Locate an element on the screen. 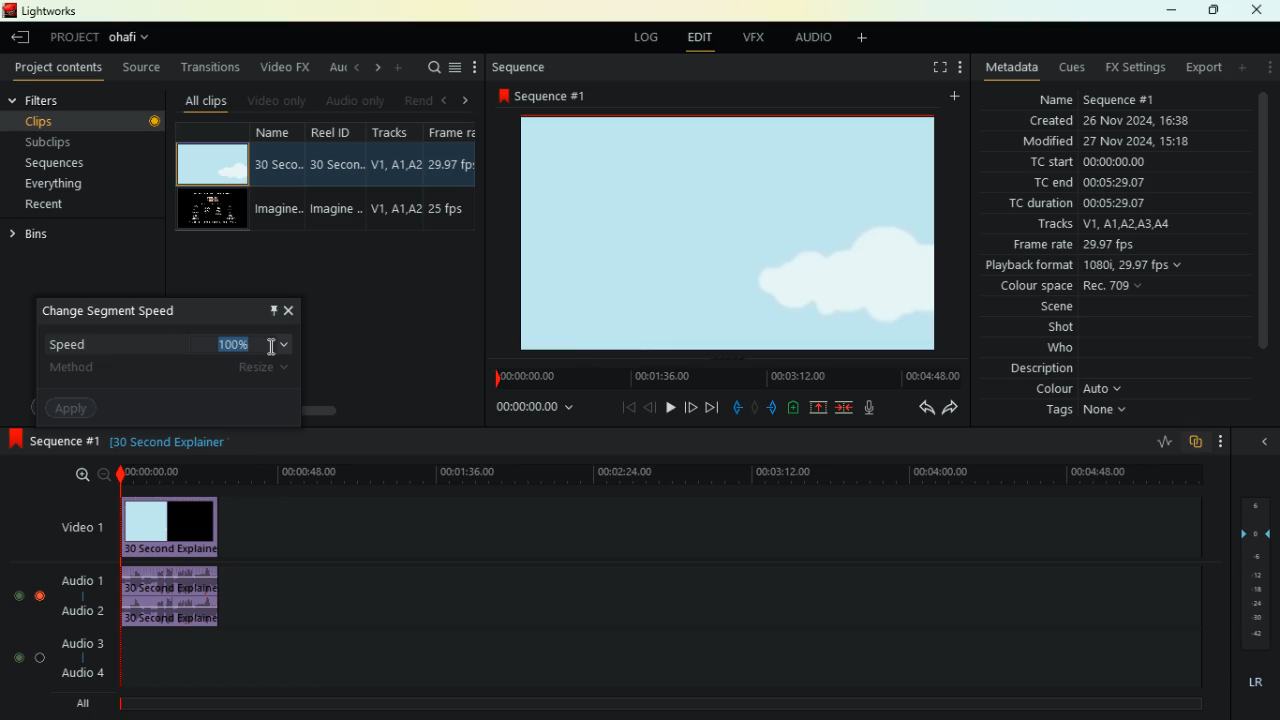 The image size is (1280, 720). battery is located at coordinates (792, 409).